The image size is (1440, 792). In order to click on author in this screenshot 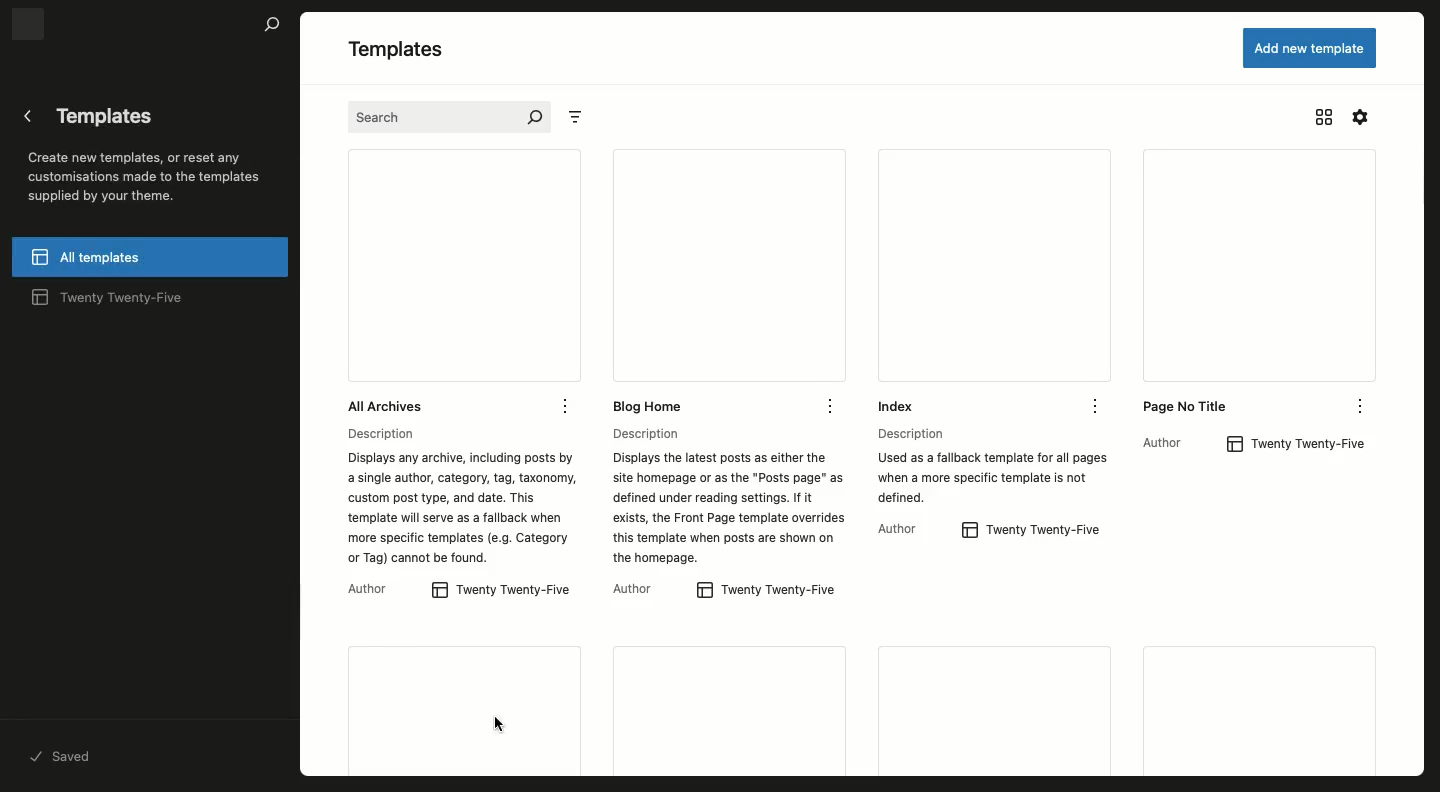, I will do `click(631, 591)`.